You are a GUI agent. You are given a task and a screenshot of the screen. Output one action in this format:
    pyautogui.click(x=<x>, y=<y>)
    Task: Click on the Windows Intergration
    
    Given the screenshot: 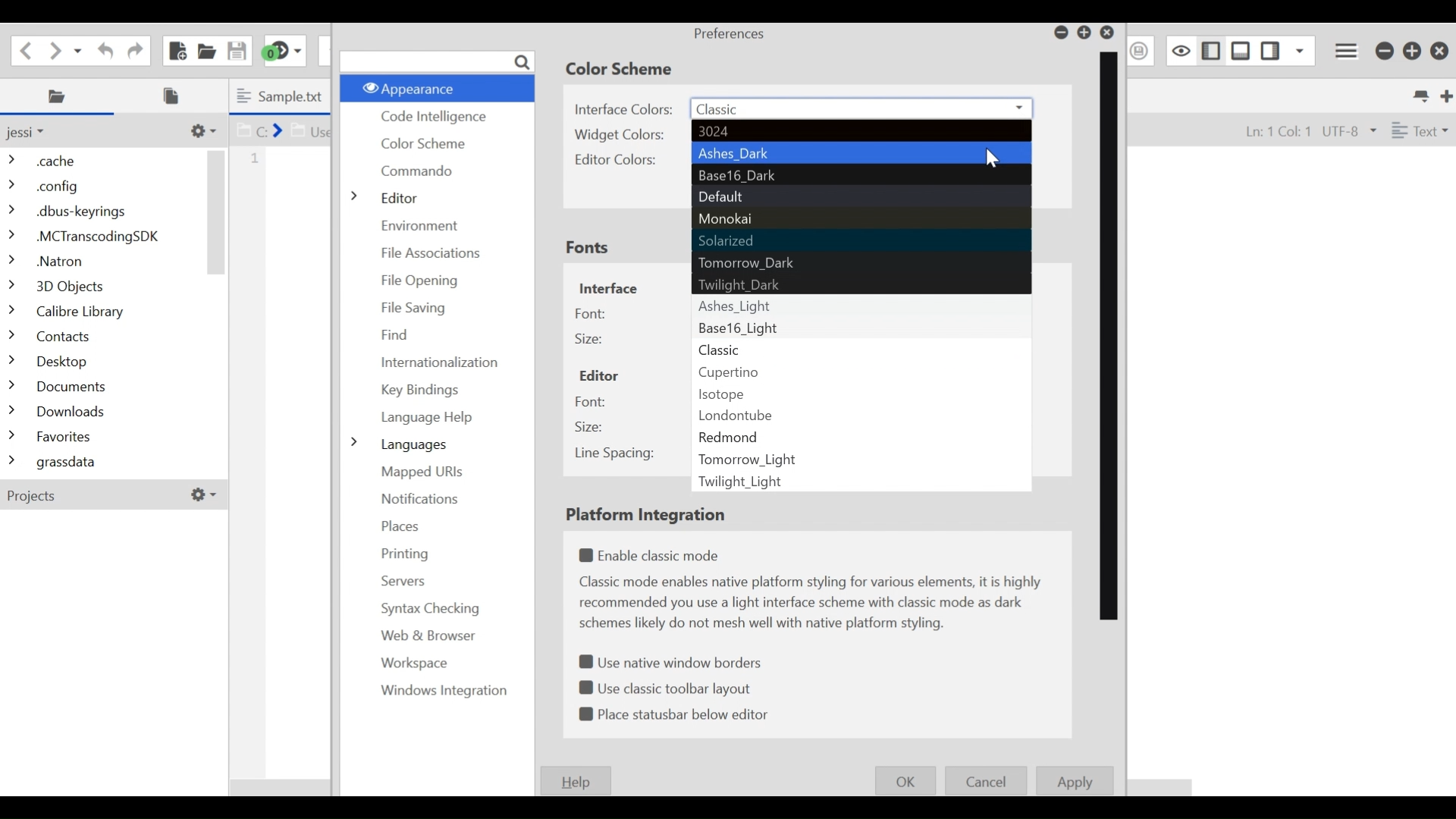 What is the action you would take?
    pyautogui.click(x=435, y=691)
    